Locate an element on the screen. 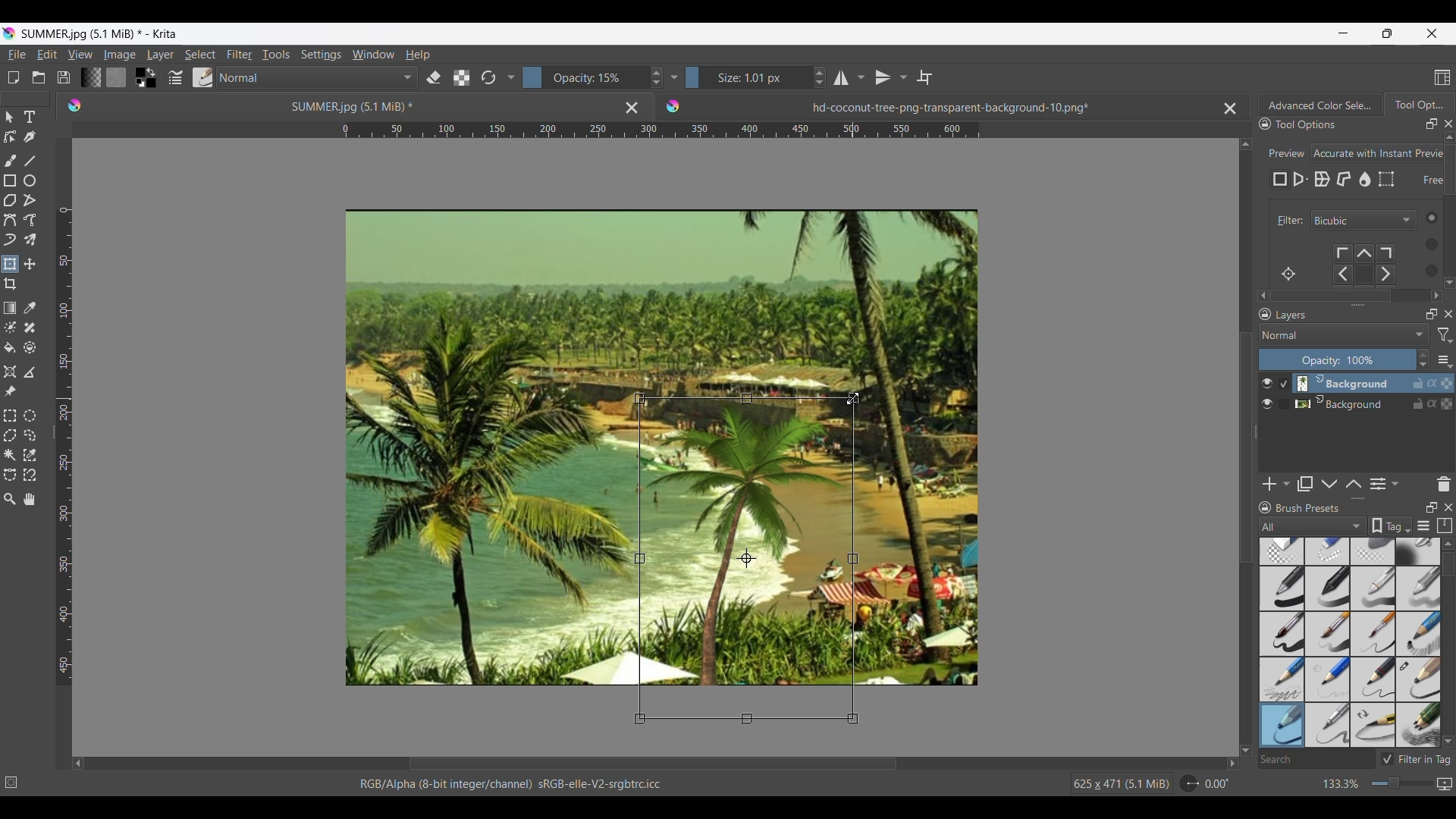 This screenshot has width=1456, height=819. Quick vertical slide to bottom is located at coordinates (1449, 296).